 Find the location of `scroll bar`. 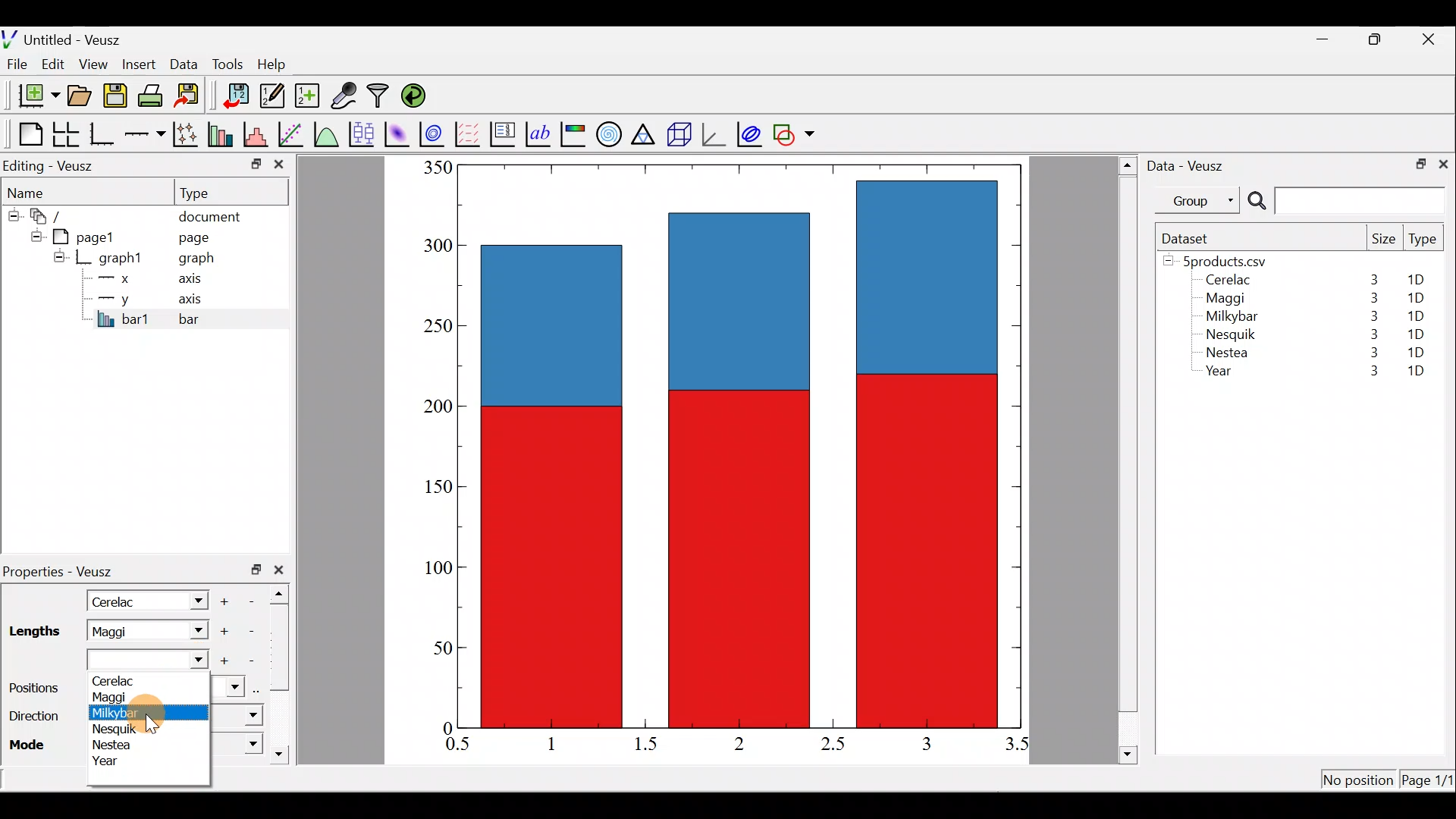

scroll bar is located at coordinates (1128, 457).